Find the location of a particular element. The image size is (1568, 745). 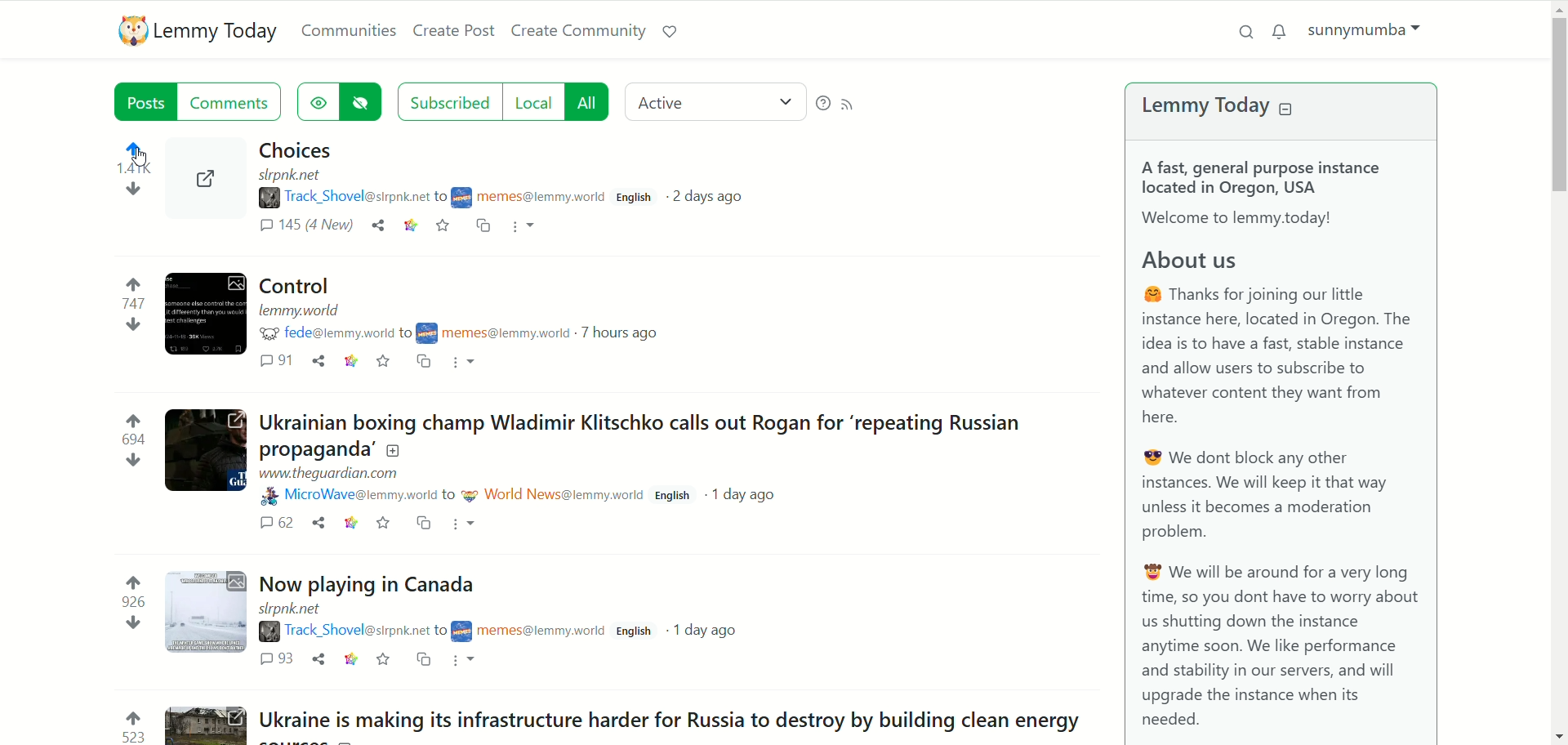

create community is located at coordinates (581, 31).